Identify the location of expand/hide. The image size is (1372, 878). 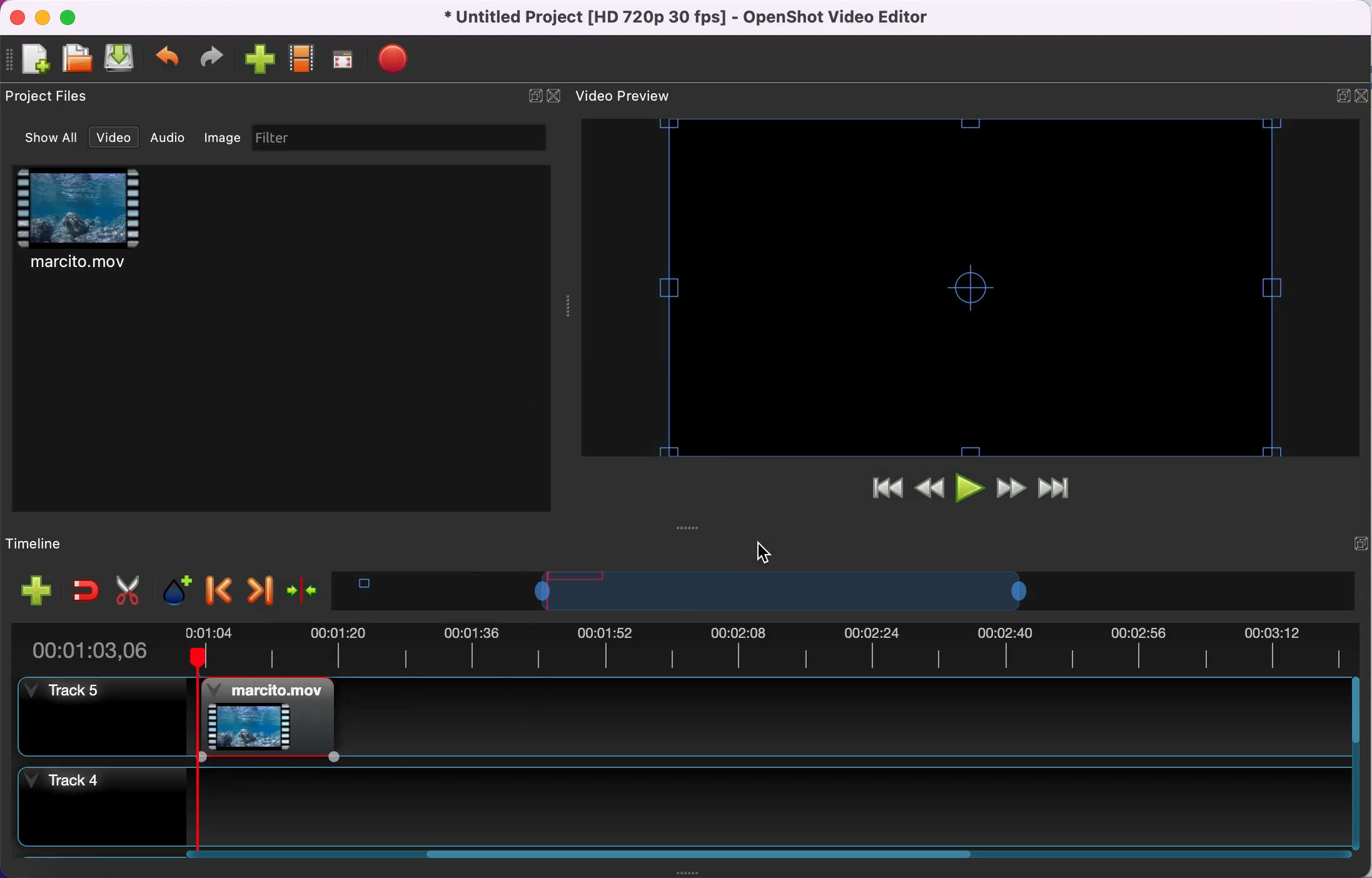
(1342, 551).